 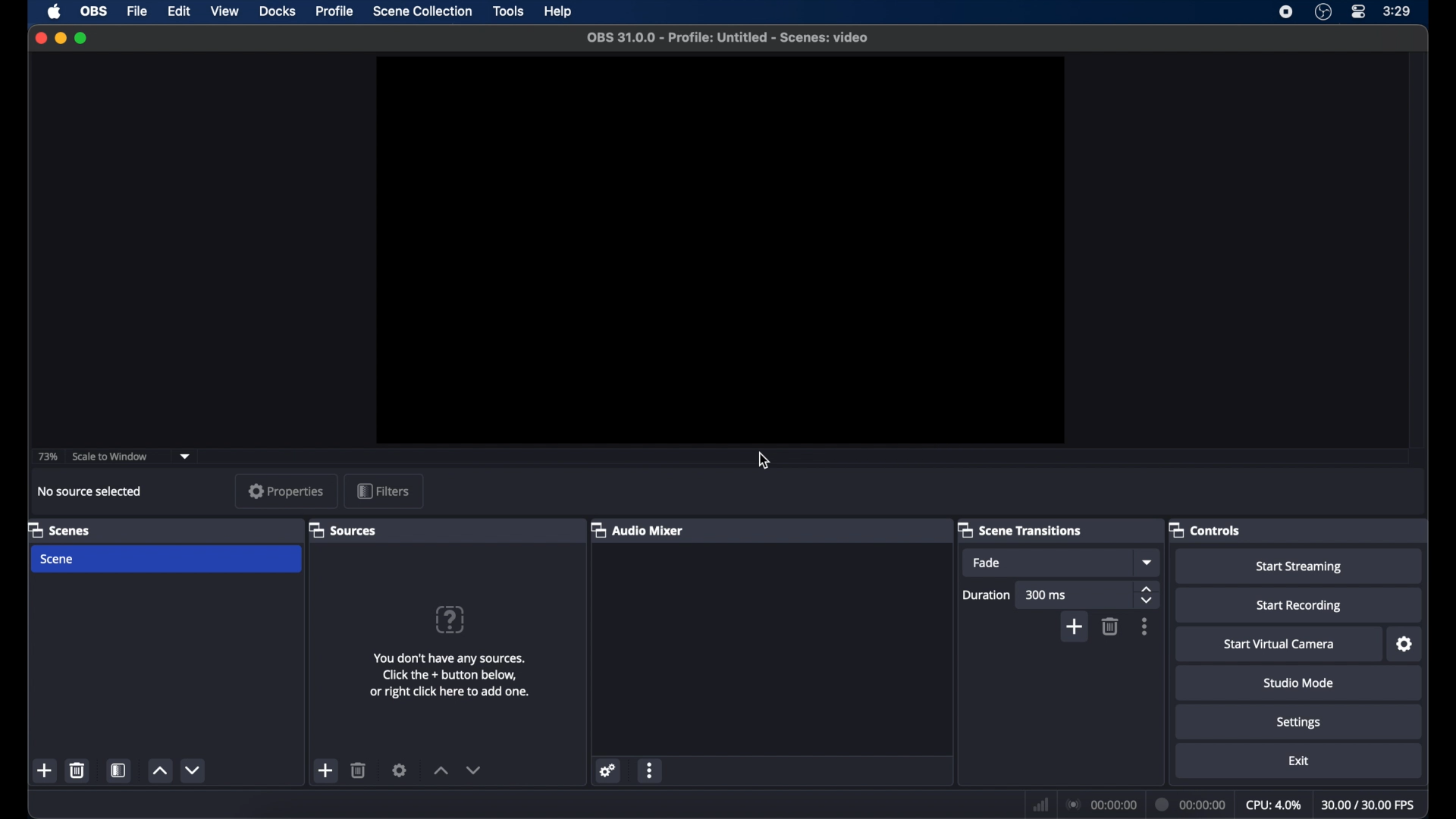 I want to click on start streaming, so click(x=1298, y=567).